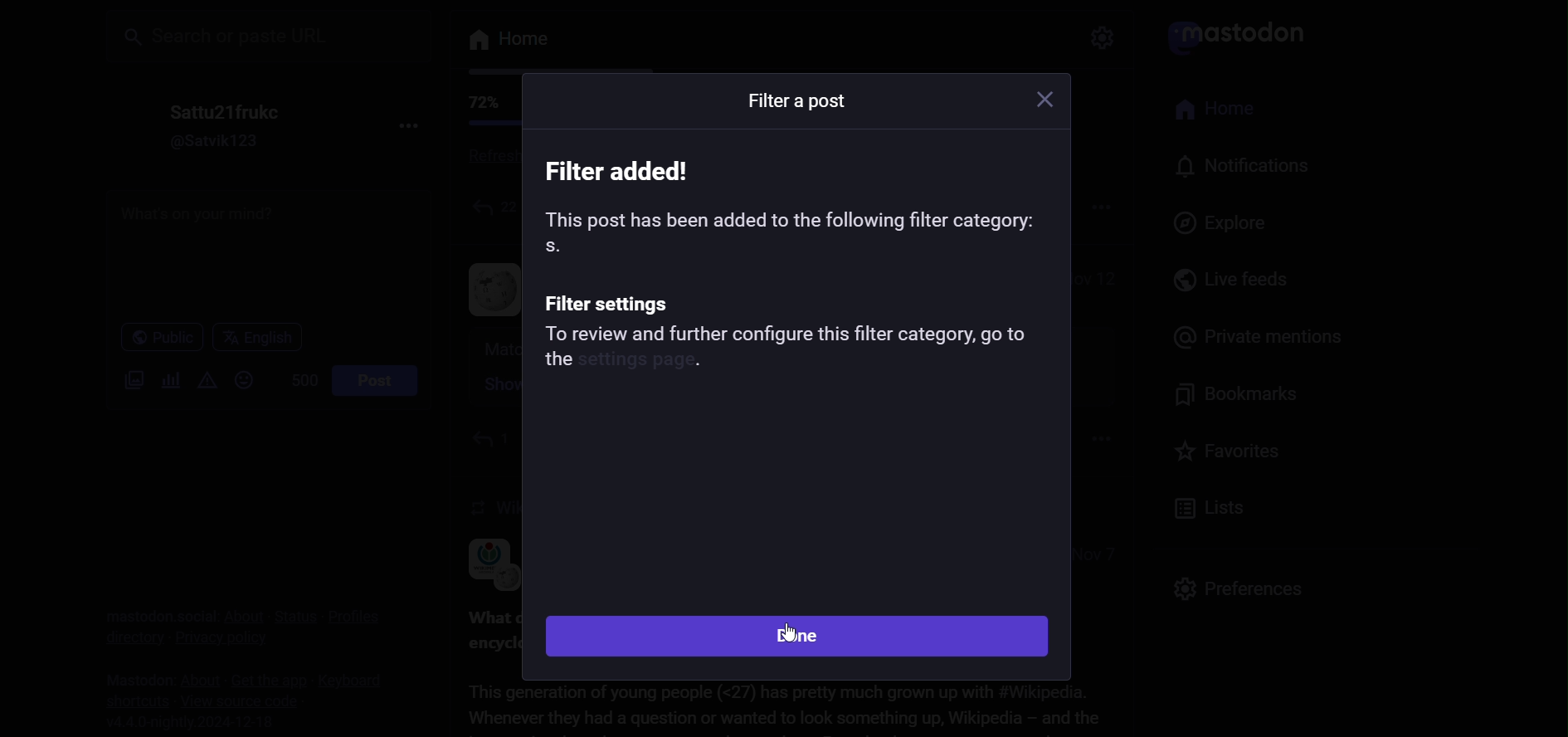  Describe the element at coordinates (1235, 279) in the screenshot. I see `live feed` at that location.